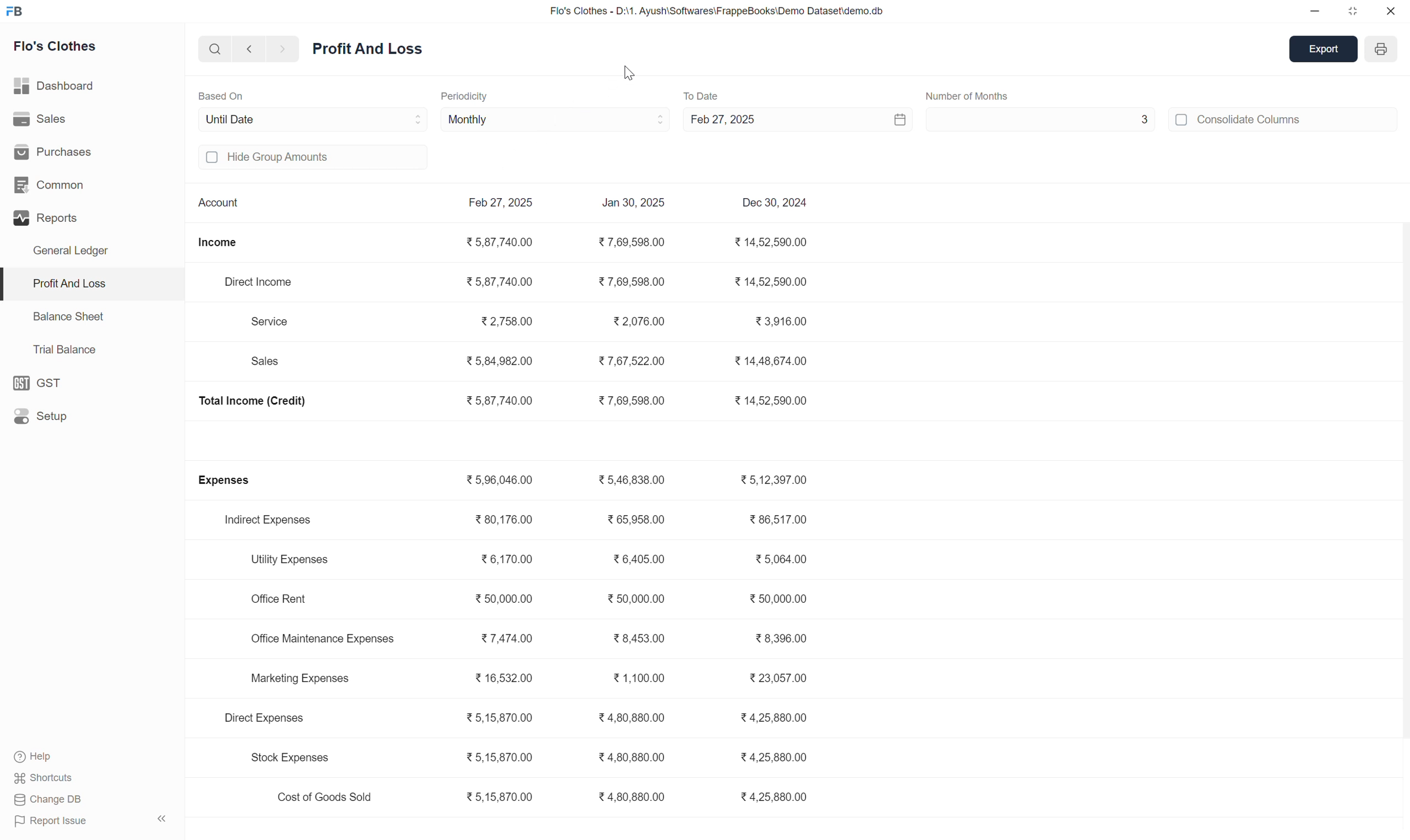 The height and width of the screenshot is (840, 1410). I want to click on Indirect Expenses, so click(274, 522).